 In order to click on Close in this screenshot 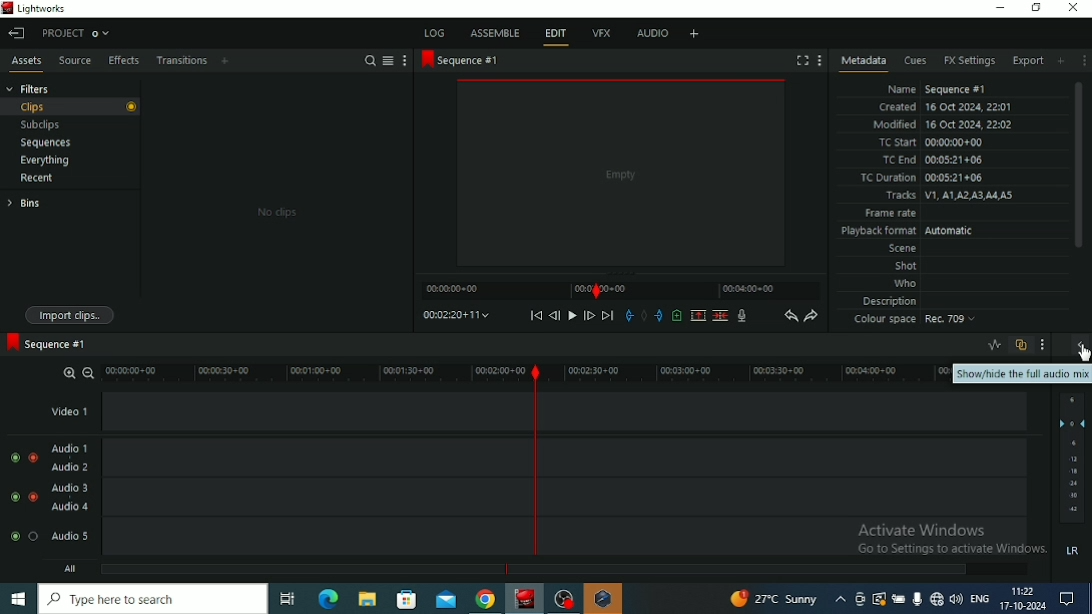, I will do `click(1074, 8)`.